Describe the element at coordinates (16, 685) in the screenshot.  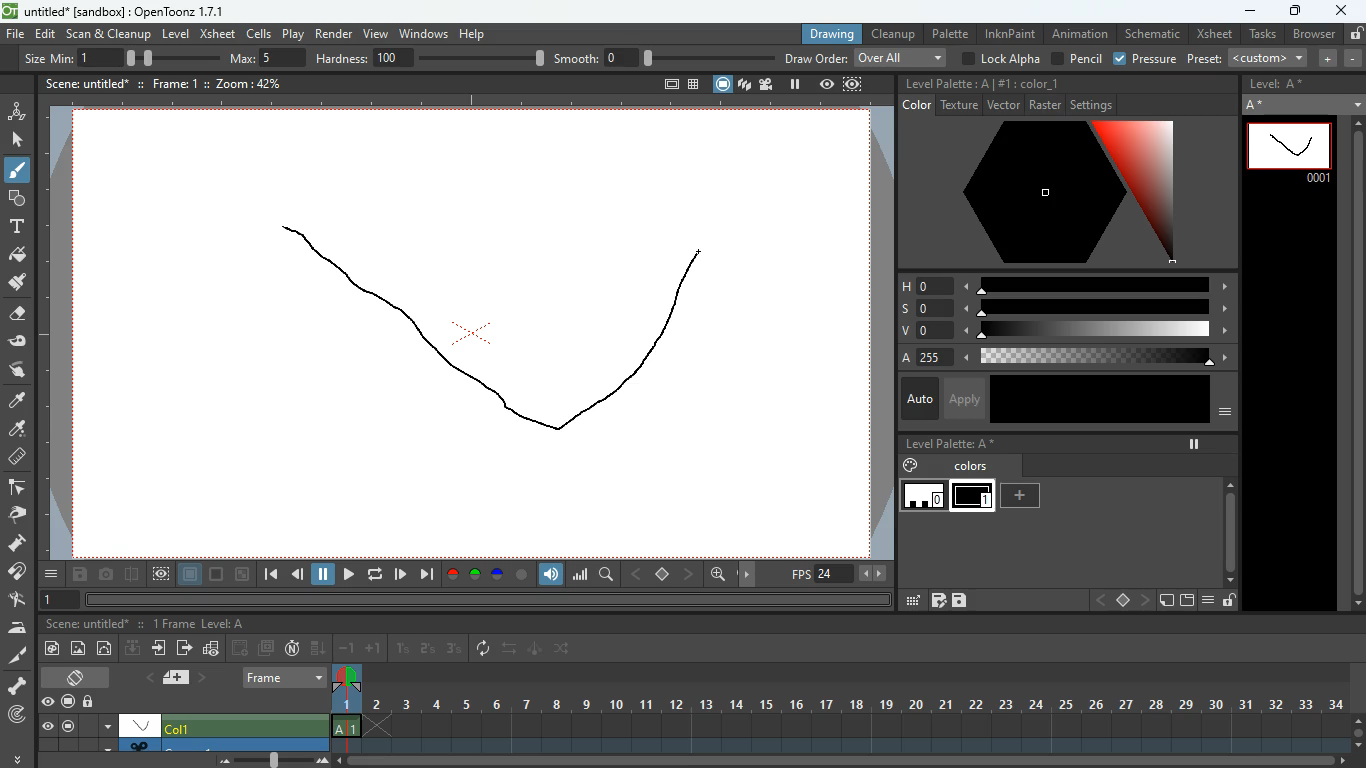
I see `skeleton` at that location.